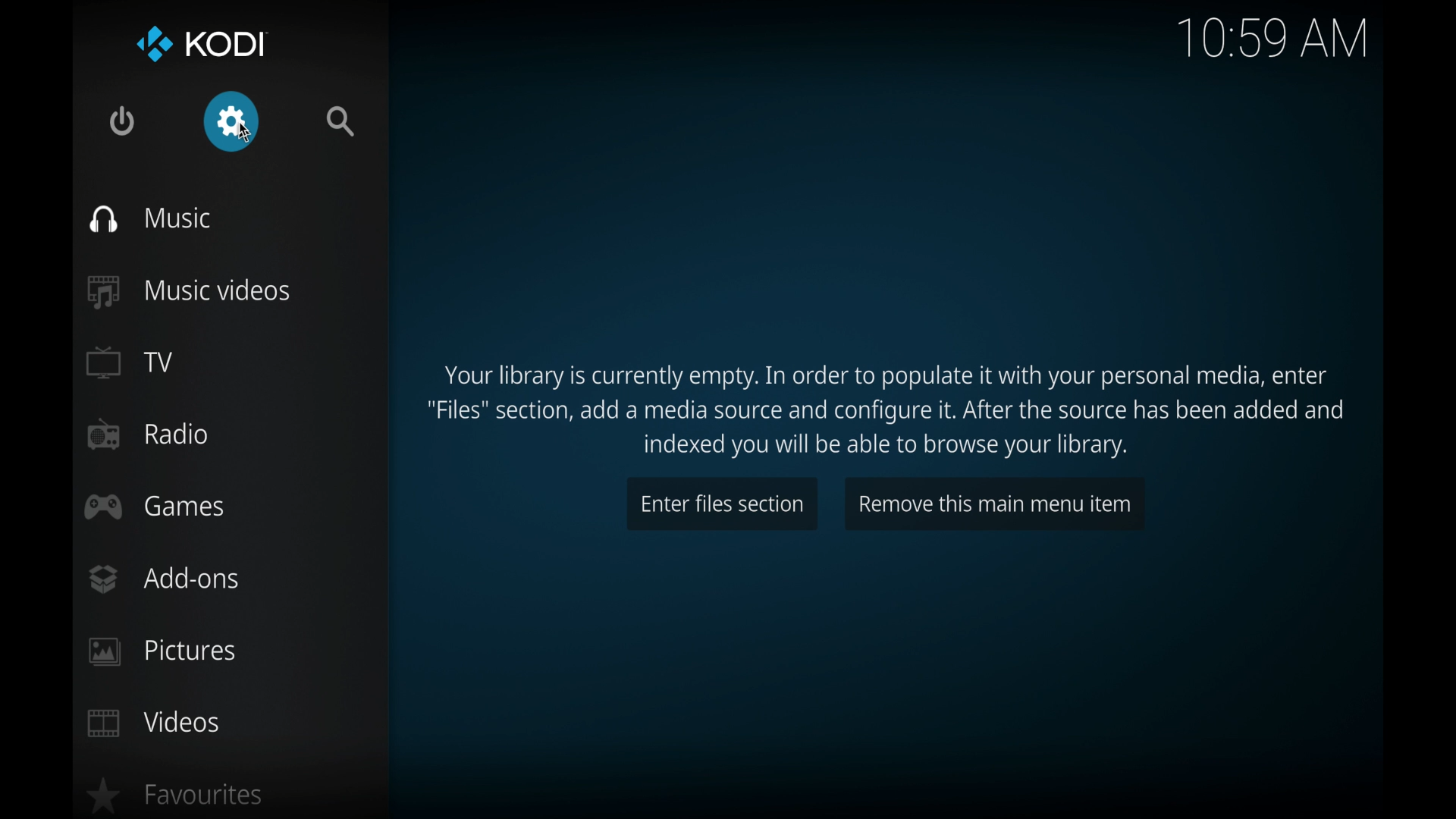 Image resolution: width=1456 pixels, height=819 pixels. Describe the element at coordinates (165, 580) in the screenshot. I see `add-ons` at that location.